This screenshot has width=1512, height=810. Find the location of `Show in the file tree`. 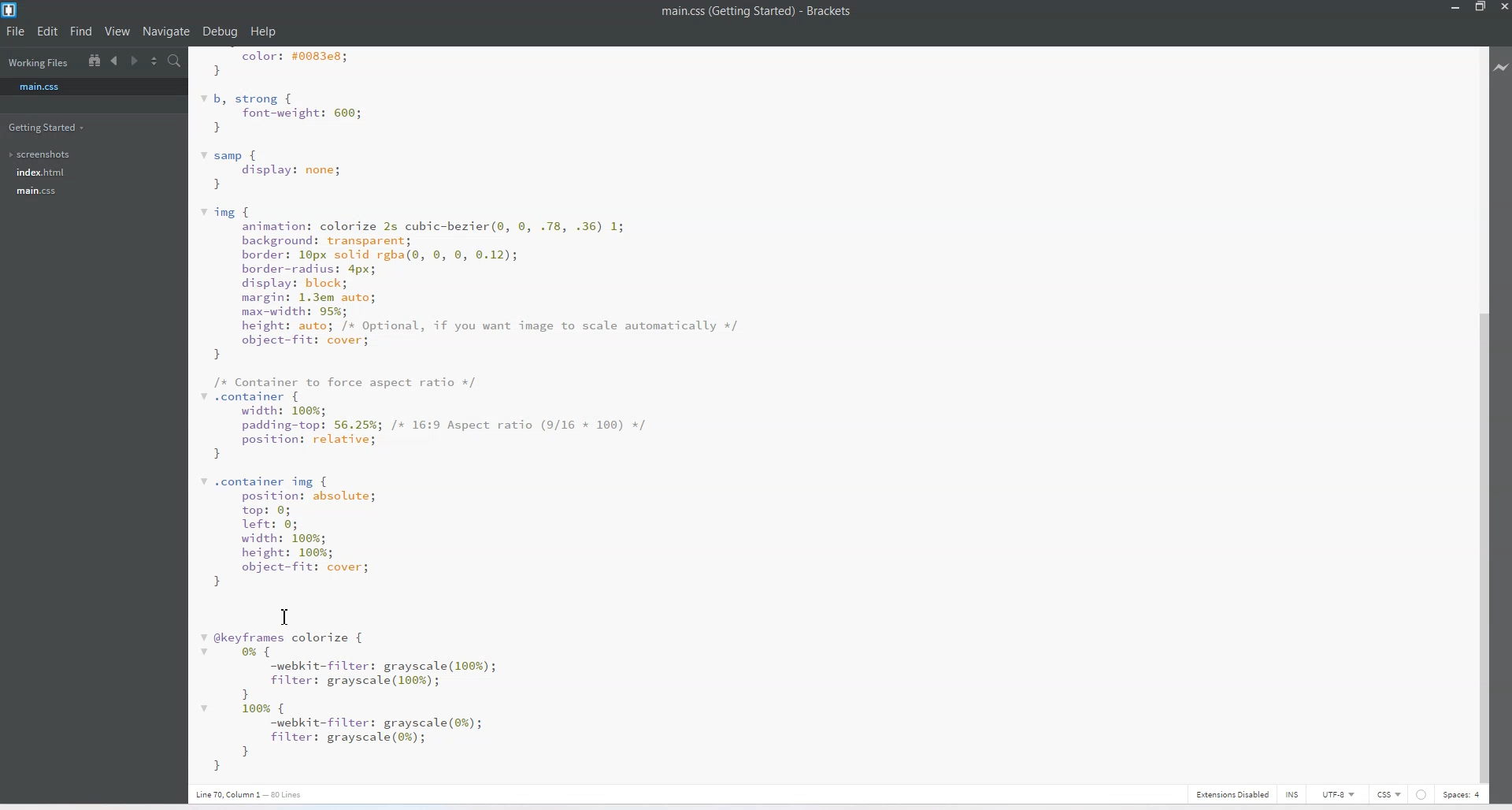

Show in the file tree is located at coordinates (94, 60).